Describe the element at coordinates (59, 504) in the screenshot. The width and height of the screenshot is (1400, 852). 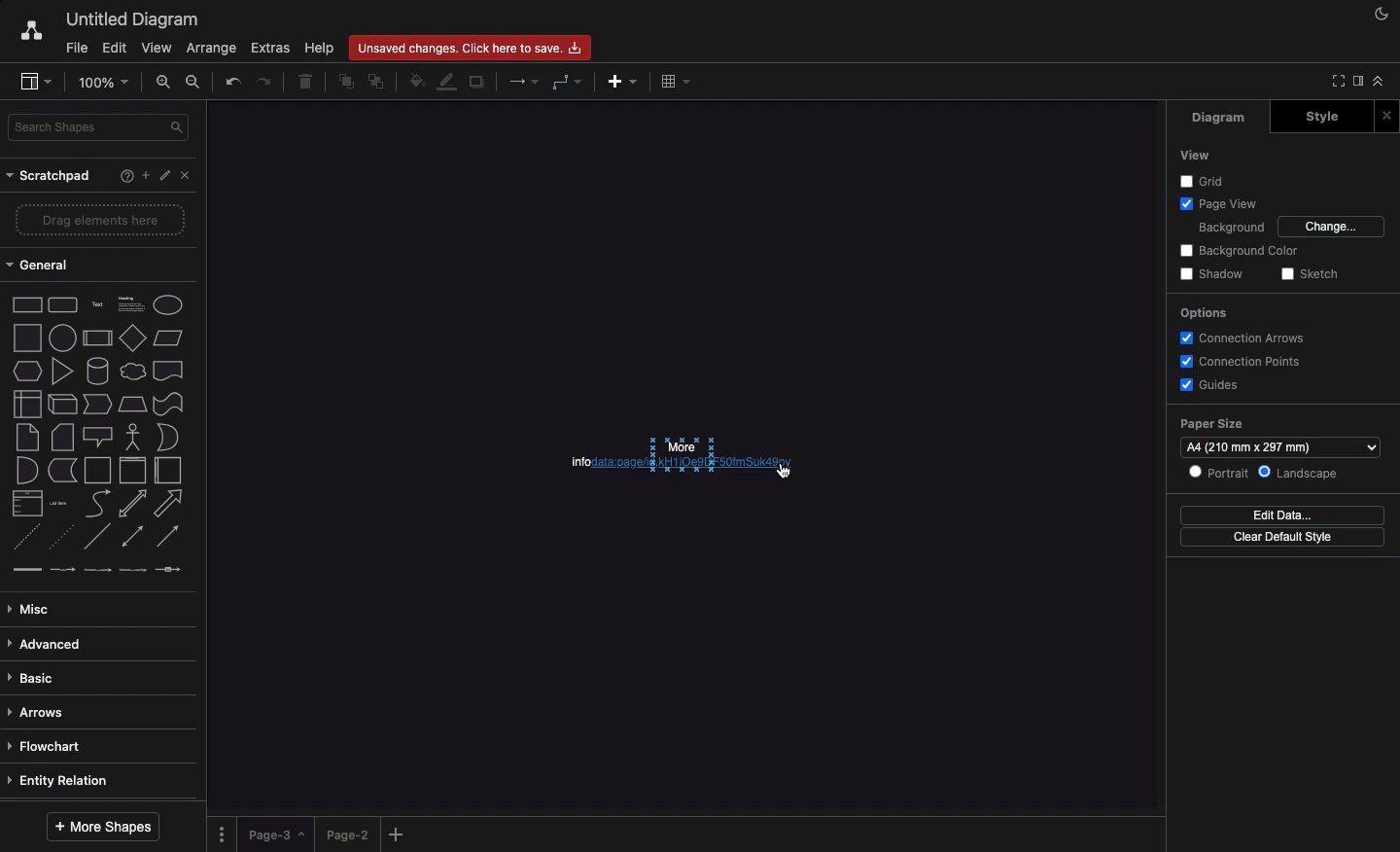
I see `list item` at that location.